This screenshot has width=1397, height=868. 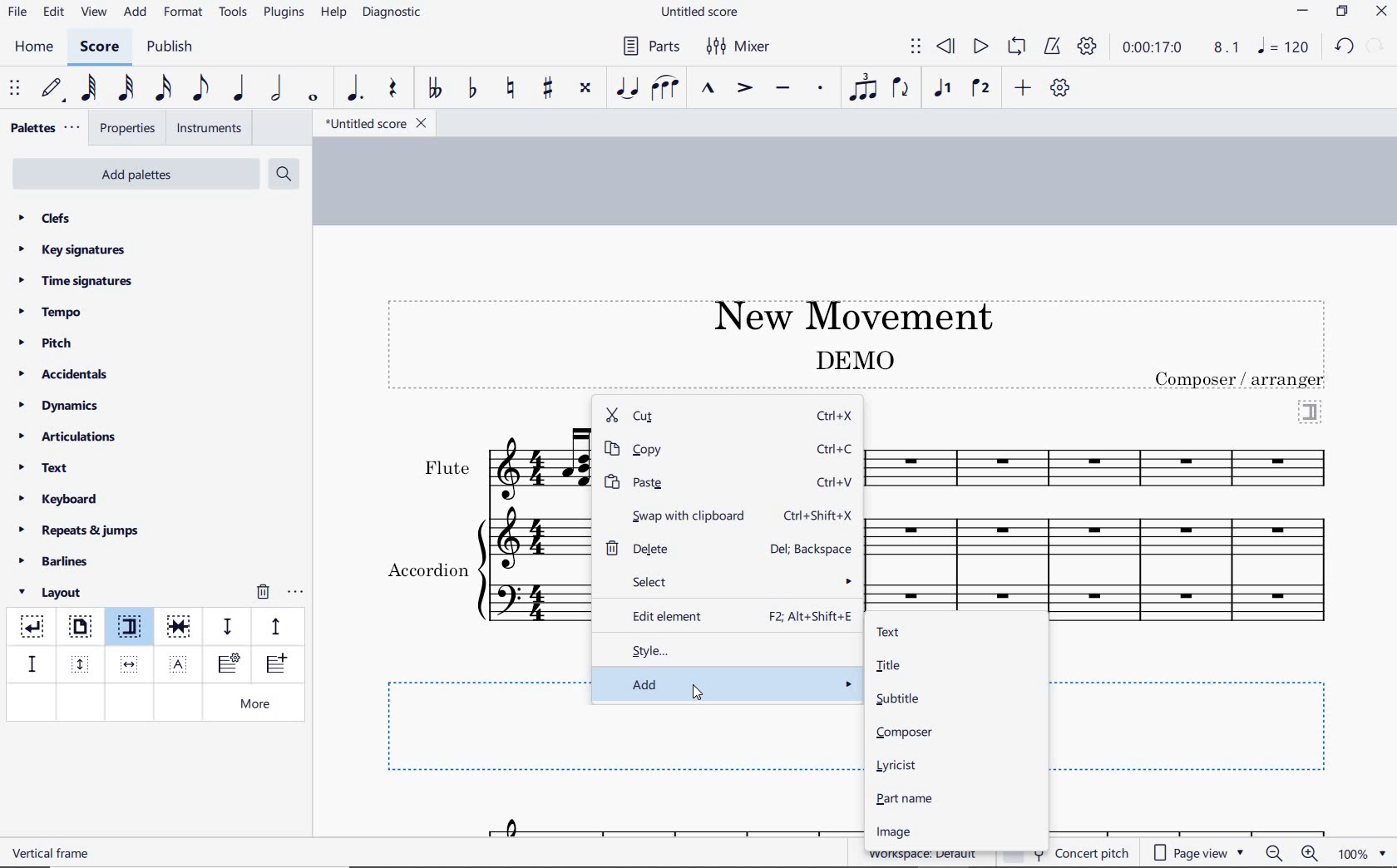 What do you see at coordinates (906, 798) in the screenshot?
I see `part name` at bounding box center [906, 798].